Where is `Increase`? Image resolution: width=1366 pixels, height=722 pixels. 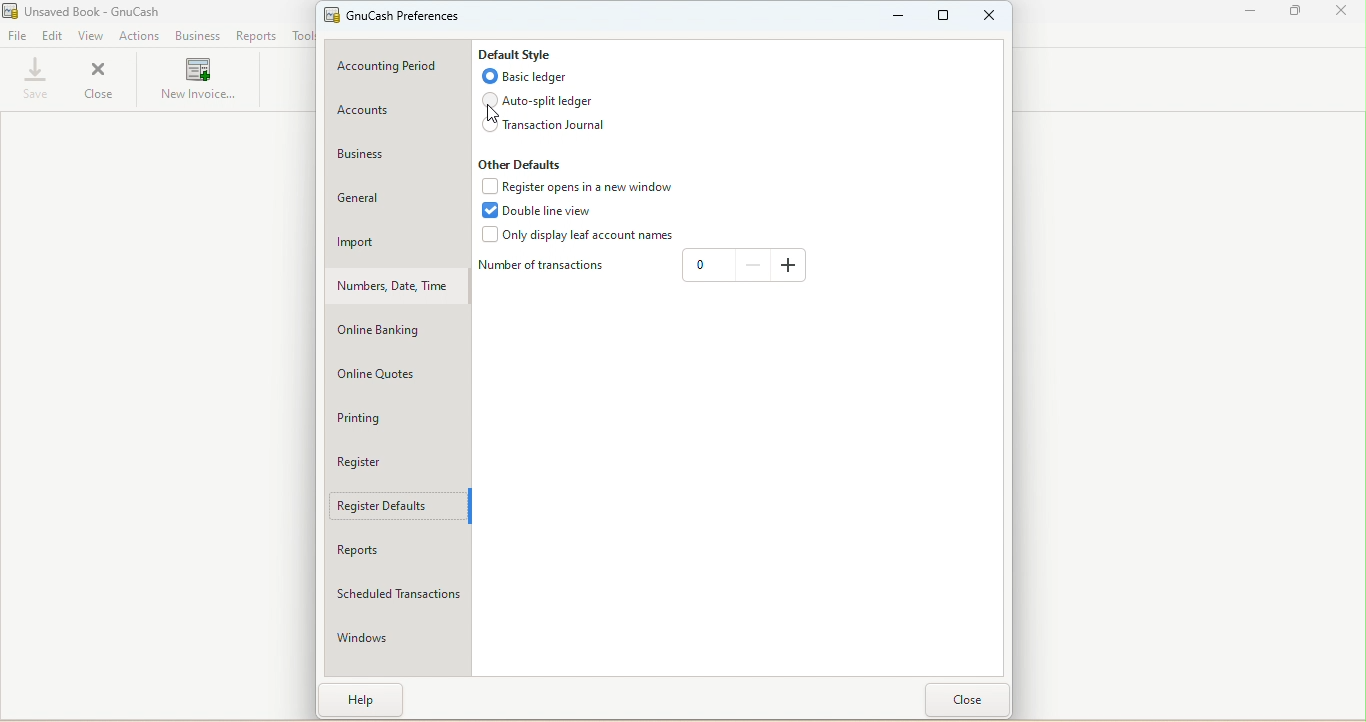
Increase is located at coordinates (789, 268).